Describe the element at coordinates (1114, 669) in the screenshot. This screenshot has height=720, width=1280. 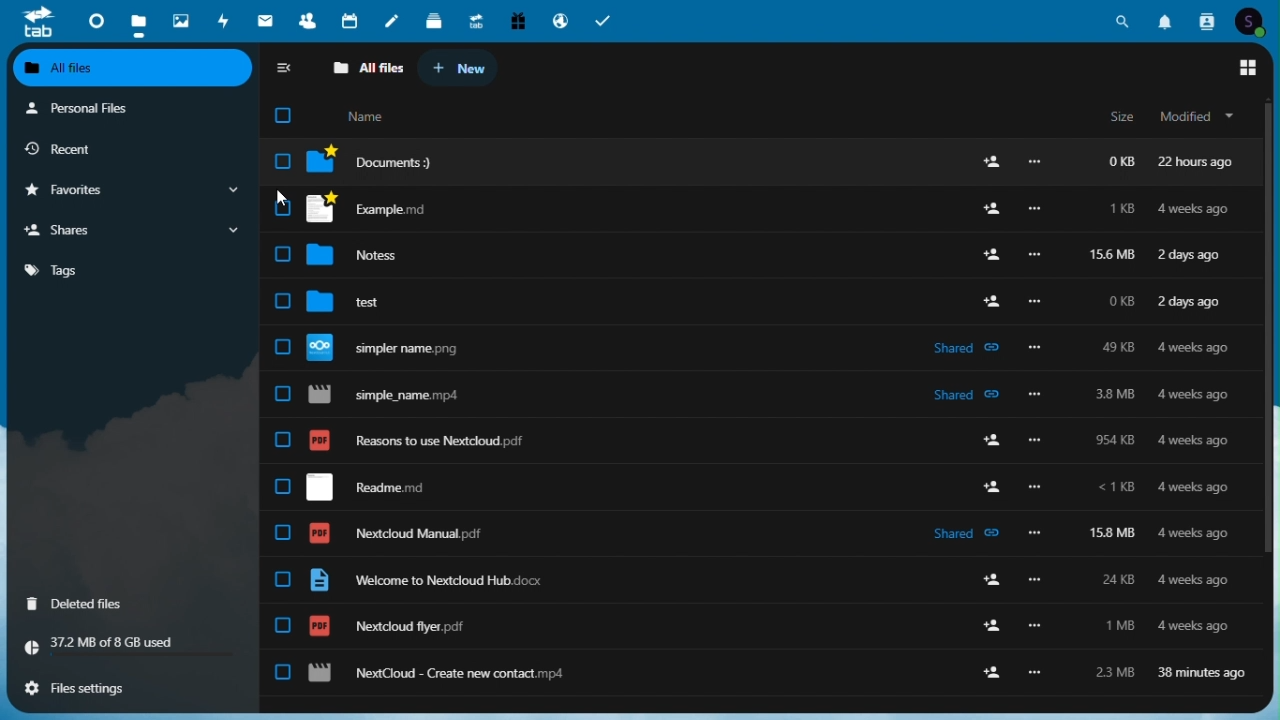
I see `23mb` at that location.